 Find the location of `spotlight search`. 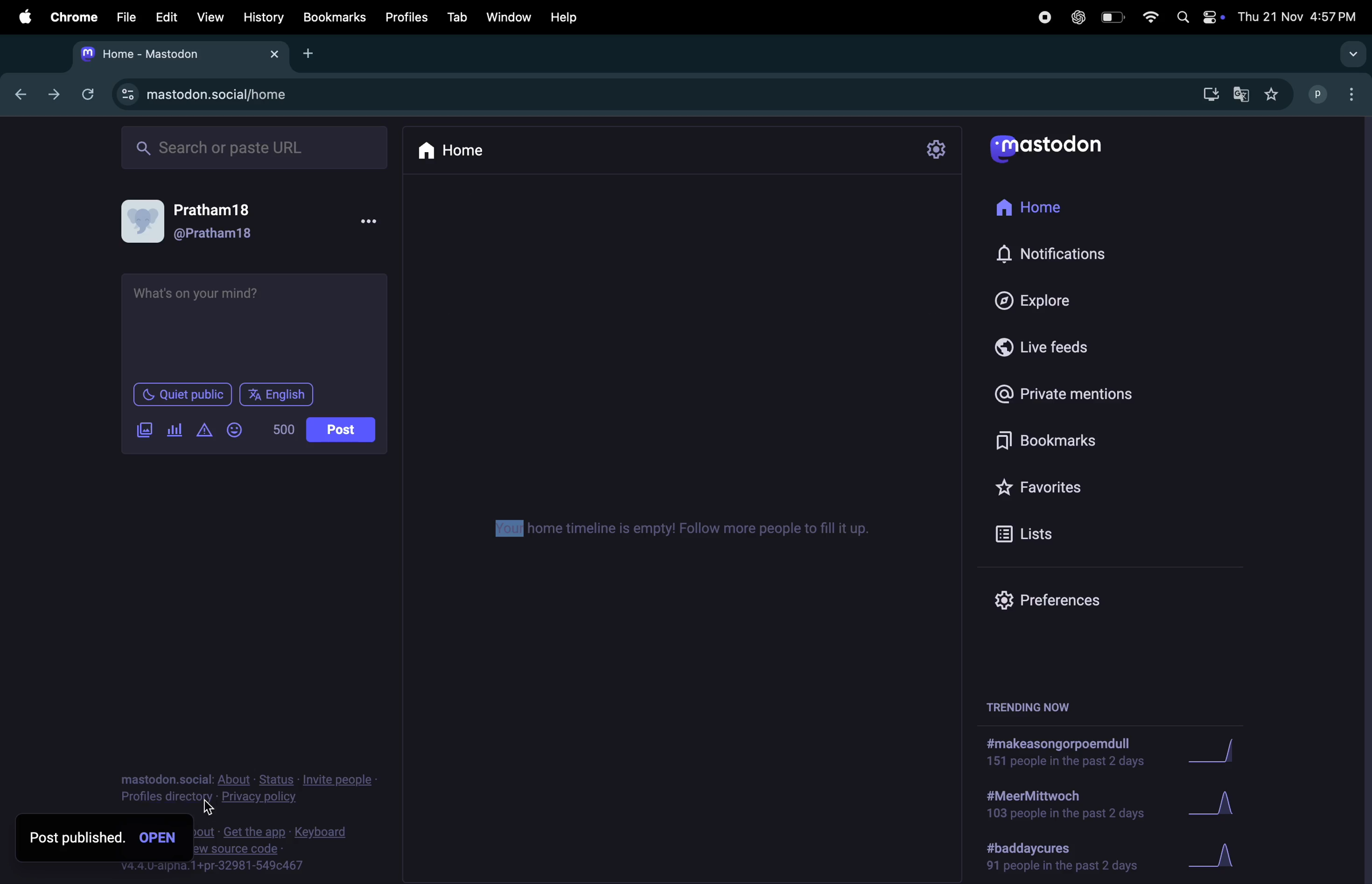

spotlight search is located at coordinates (1181, 18).